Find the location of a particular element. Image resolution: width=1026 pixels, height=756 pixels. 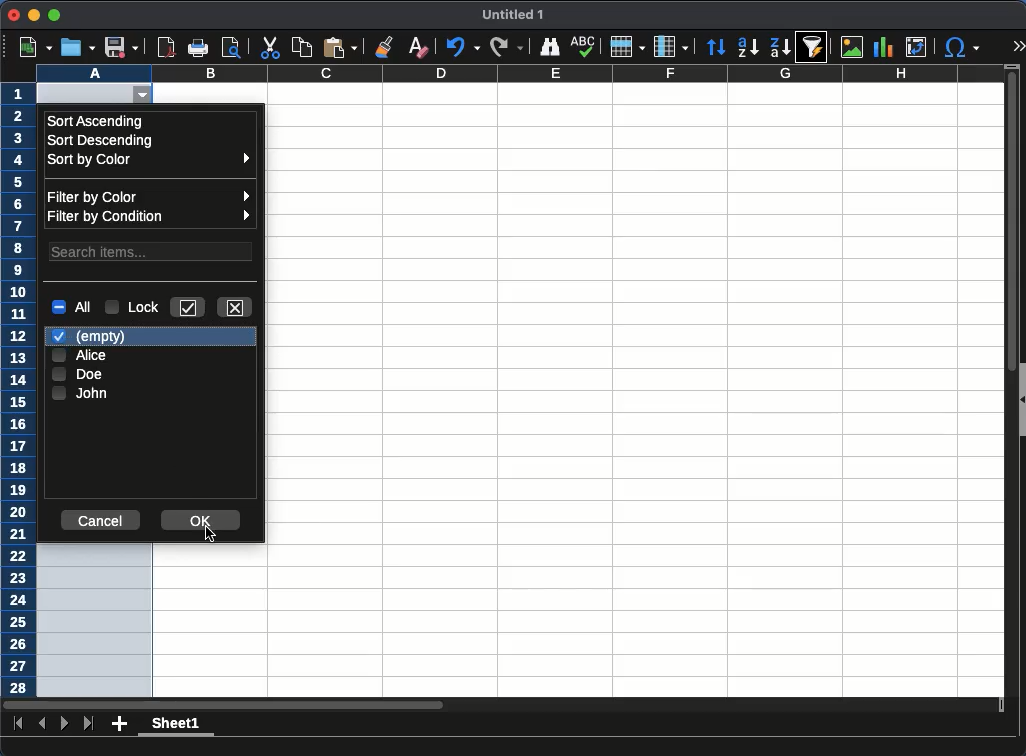

sort ascending is located at coordinates (95, 121).